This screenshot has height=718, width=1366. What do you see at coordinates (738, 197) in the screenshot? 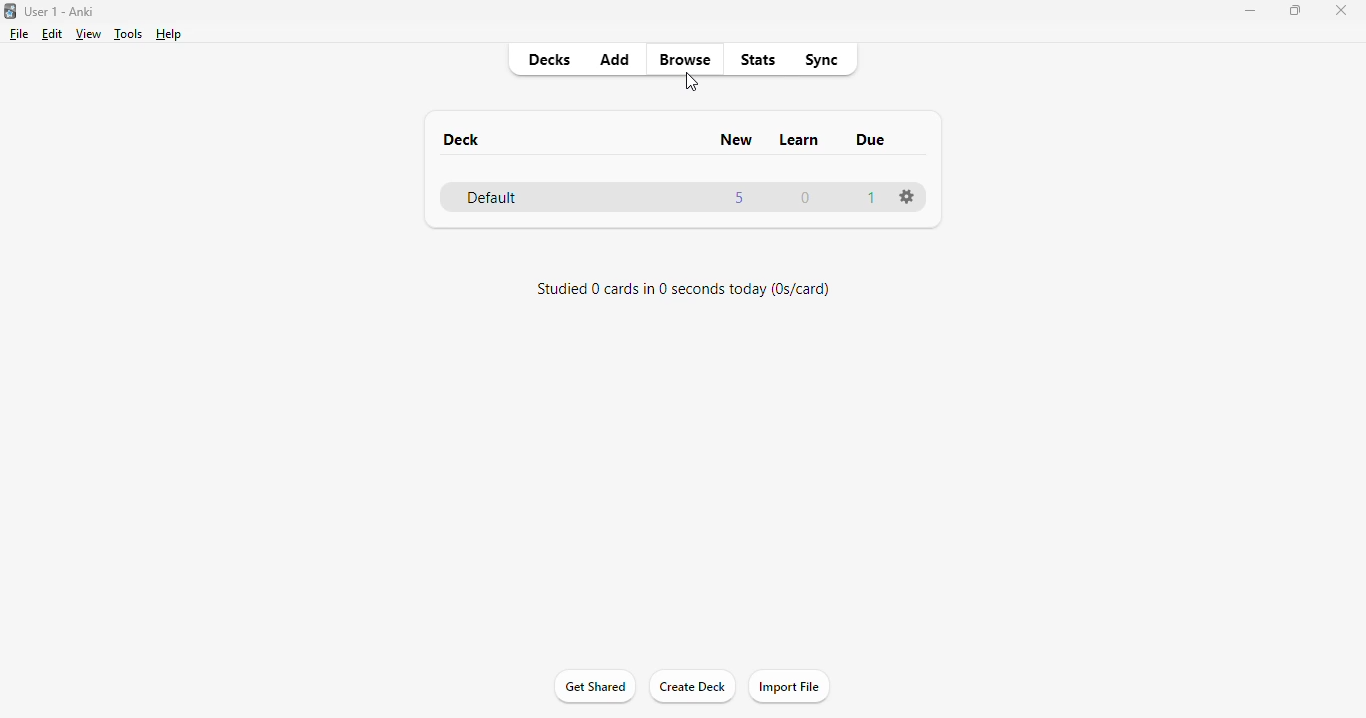
I see `5` at bounding box center [738, 197].